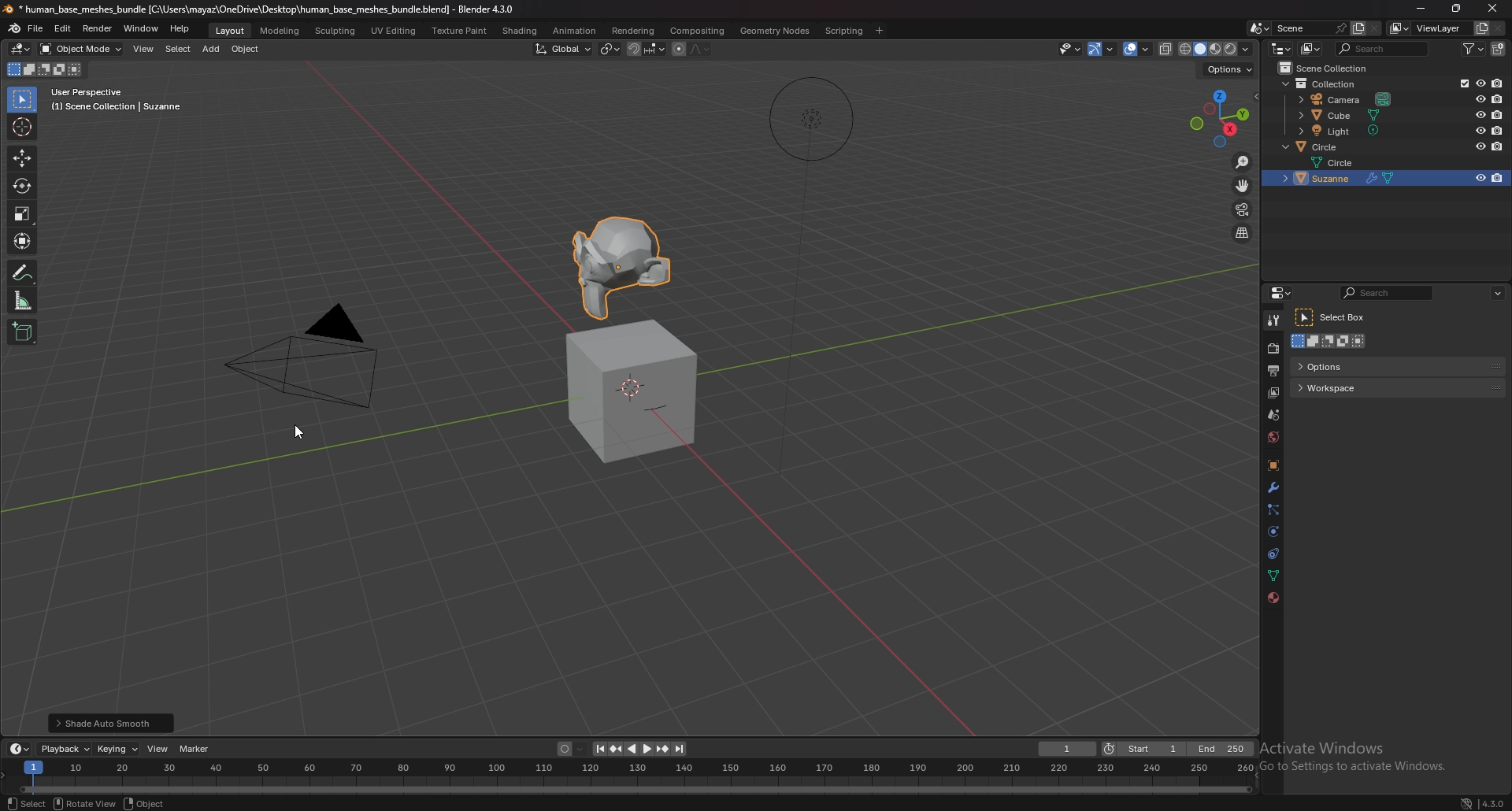 The height and width of the screenshot is (811, 1512). What do you see at coordinates (81, 49) in the screenshot?
I see `object mode` at bounding box center [81, 49].